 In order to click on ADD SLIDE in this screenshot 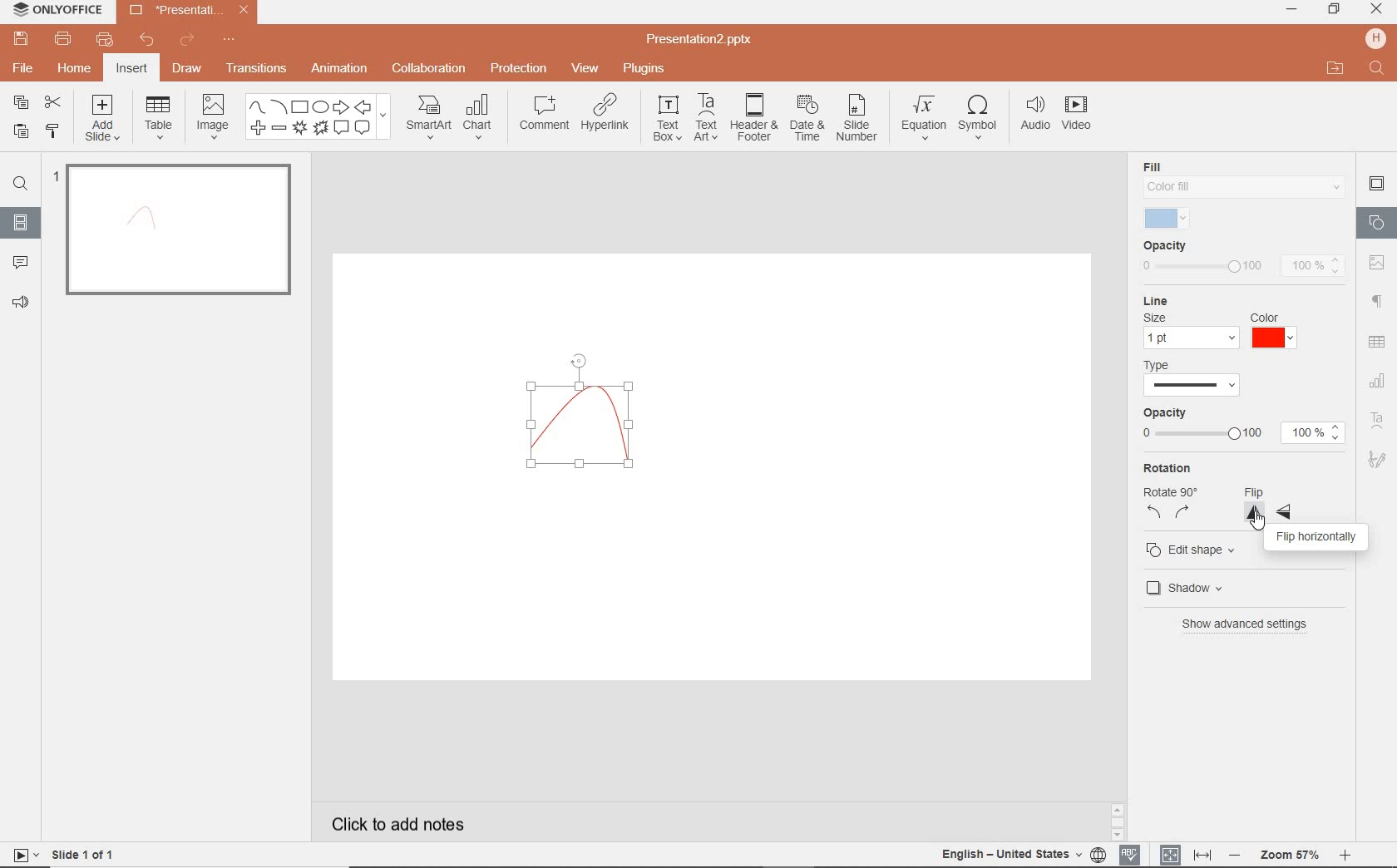, I will do `click(104, 121)`.